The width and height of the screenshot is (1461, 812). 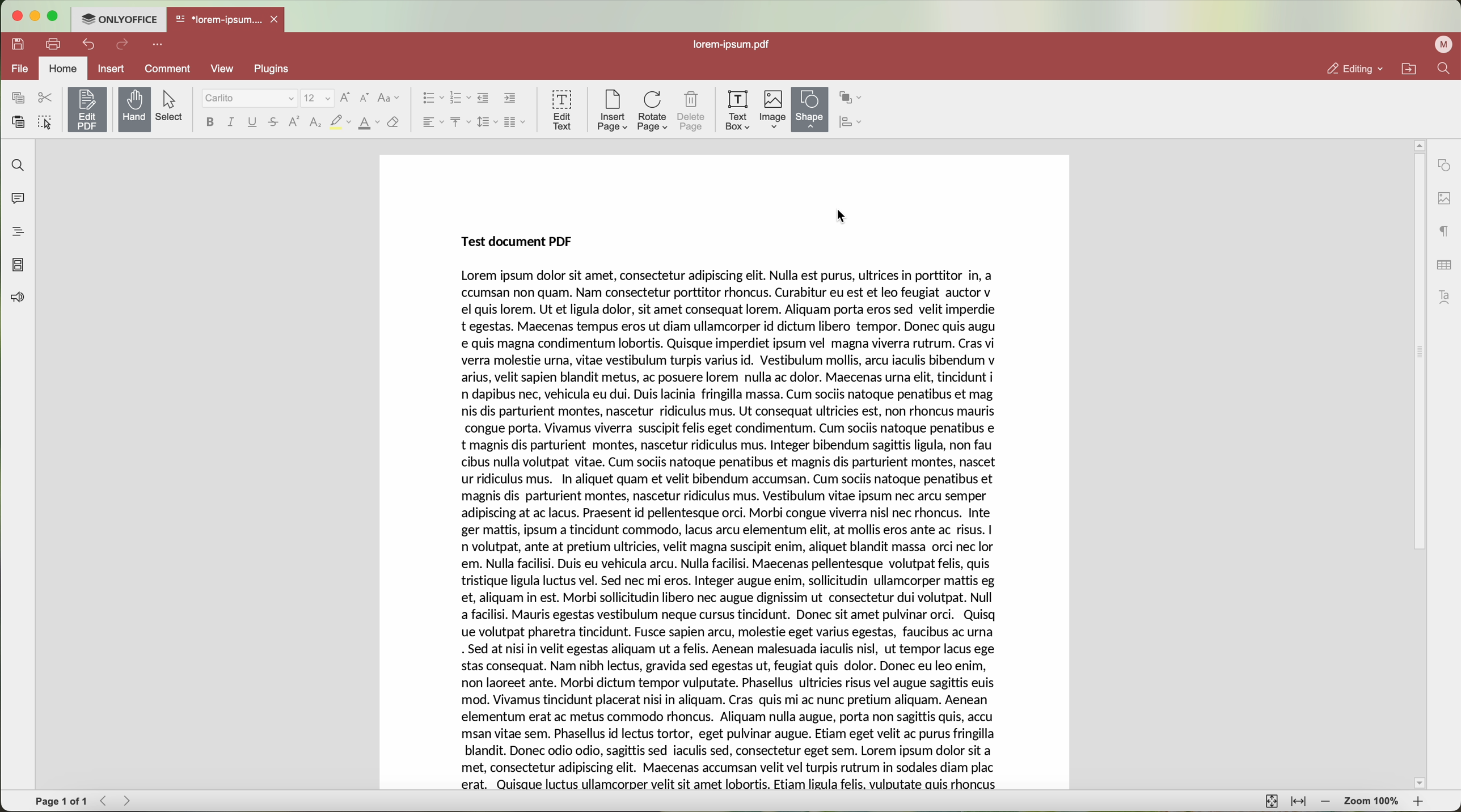 What do you see at coordinates (1300, 802) in the screenshot?
I see `fit to width` at bounding box center [1300, 802].